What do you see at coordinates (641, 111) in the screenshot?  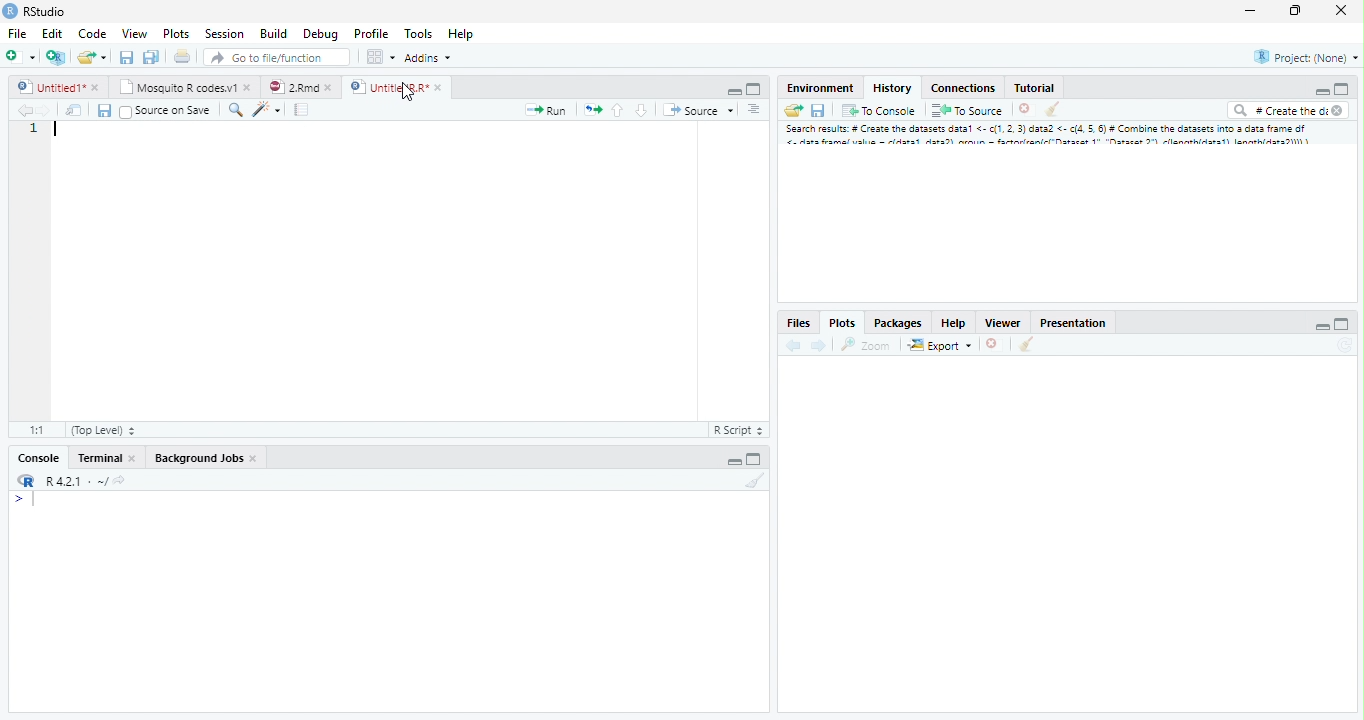 I see `Go to the next section/chunk` at bounding box center [641, 111].